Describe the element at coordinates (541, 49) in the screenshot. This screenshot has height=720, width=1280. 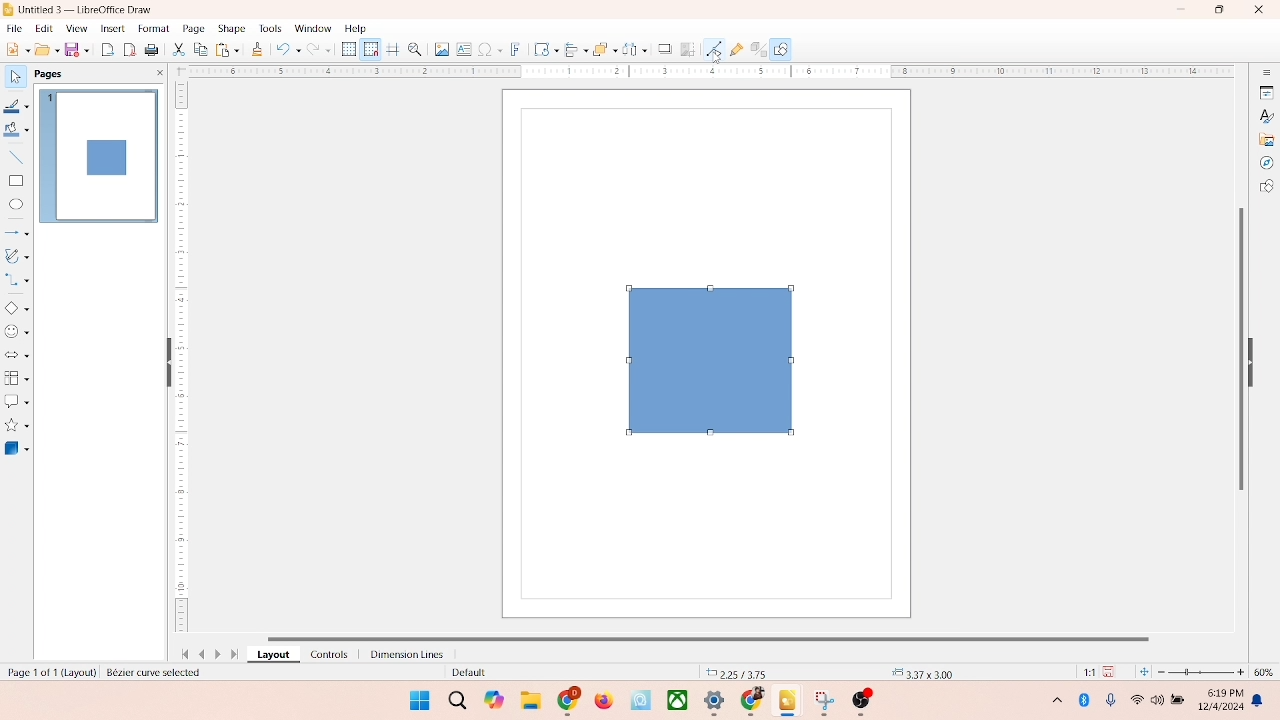
I see `transformation` at that location.